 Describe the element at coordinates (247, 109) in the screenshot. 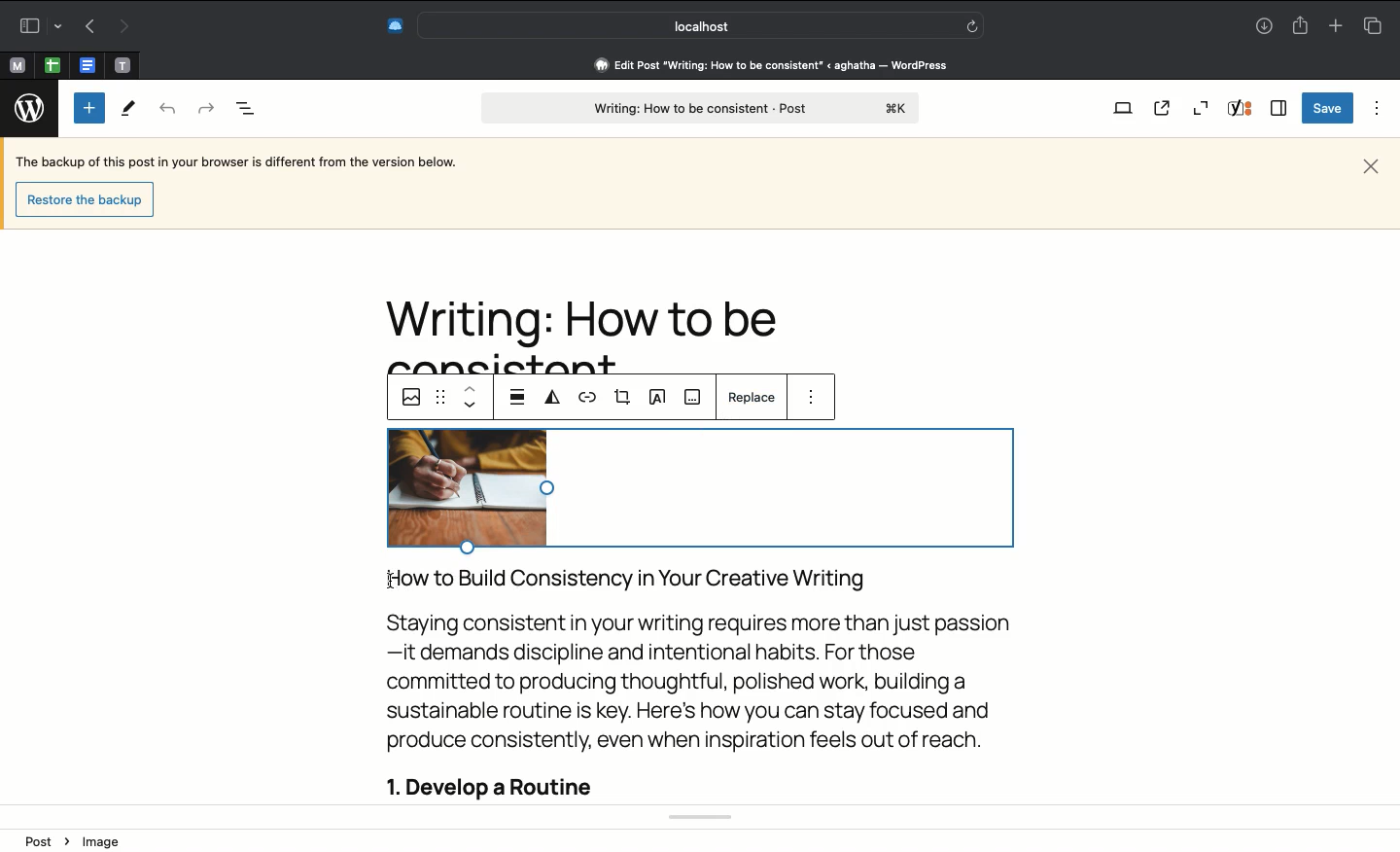

I see `Document overview` at that location.